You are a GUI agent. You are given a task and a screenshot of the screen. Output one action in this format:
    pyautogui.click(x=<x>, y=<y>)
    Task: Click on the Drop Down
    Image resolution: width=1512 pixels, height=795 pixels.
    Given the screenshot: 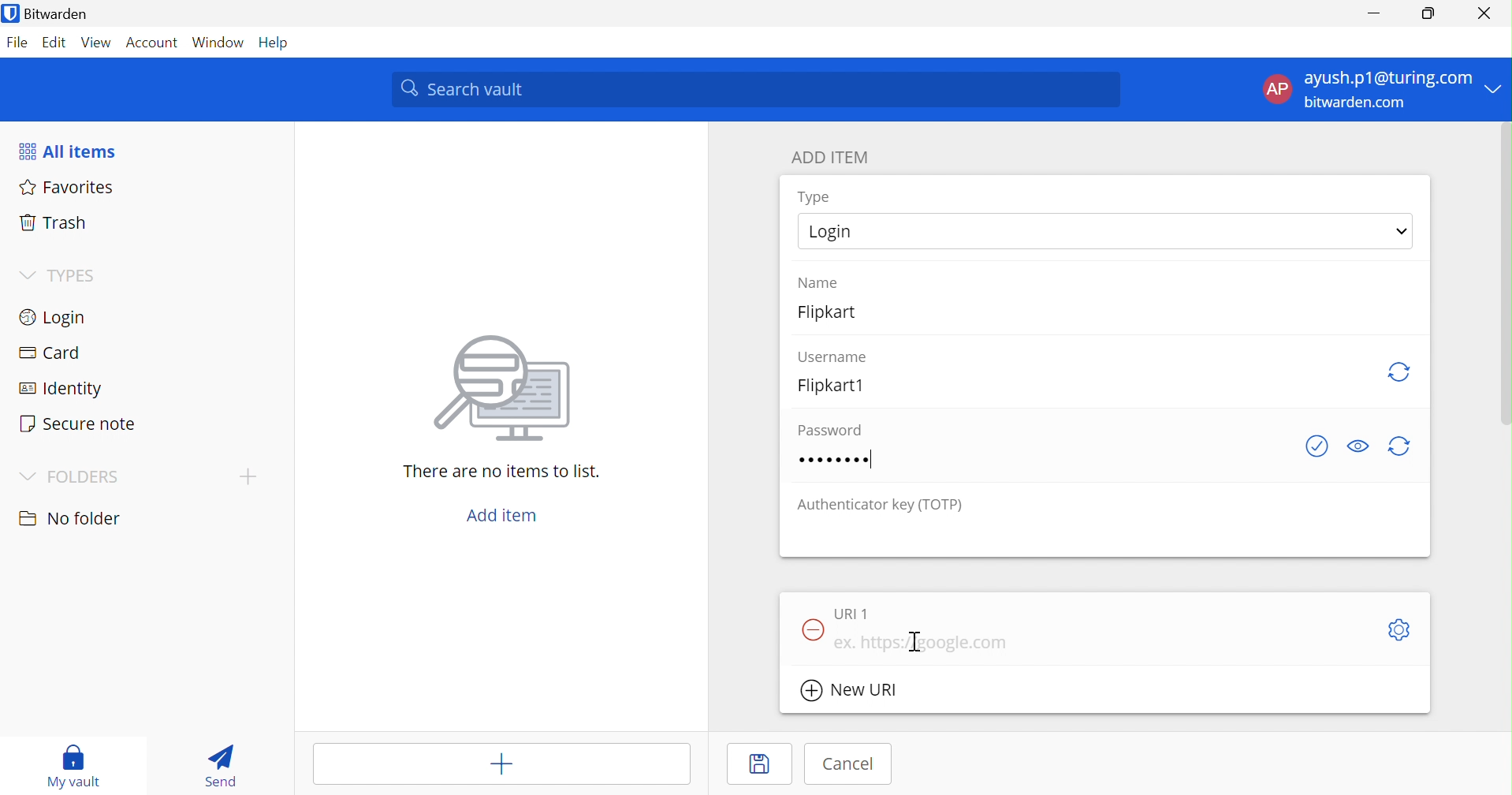 What is the action you would take?
    pyautogui.click(x=28, y=477)
    